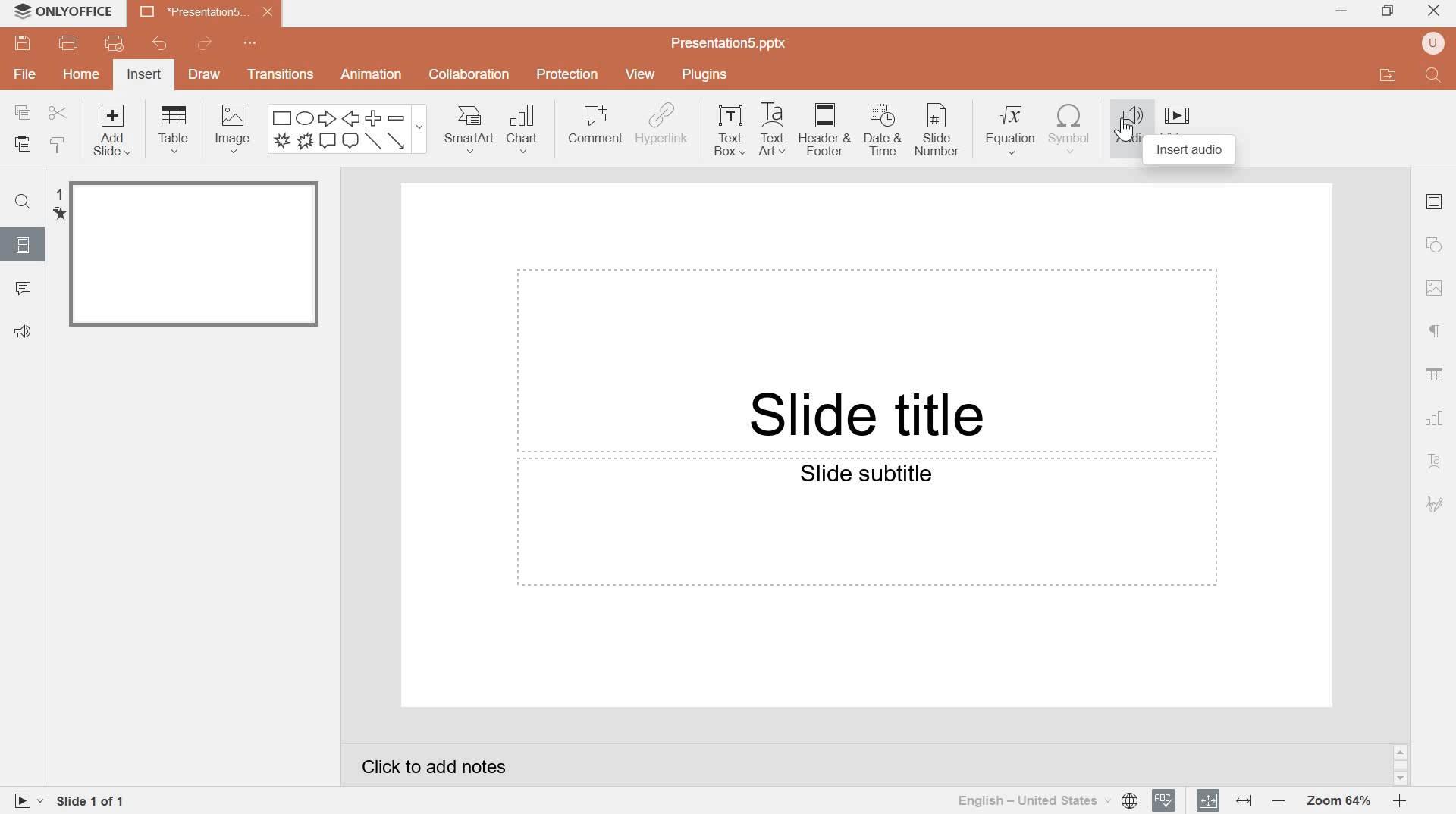 The width and height of the screenshot is (1456, 814). Describe the element at coordinates (569, 75) in the screenshot. I see `Protection` at that location.